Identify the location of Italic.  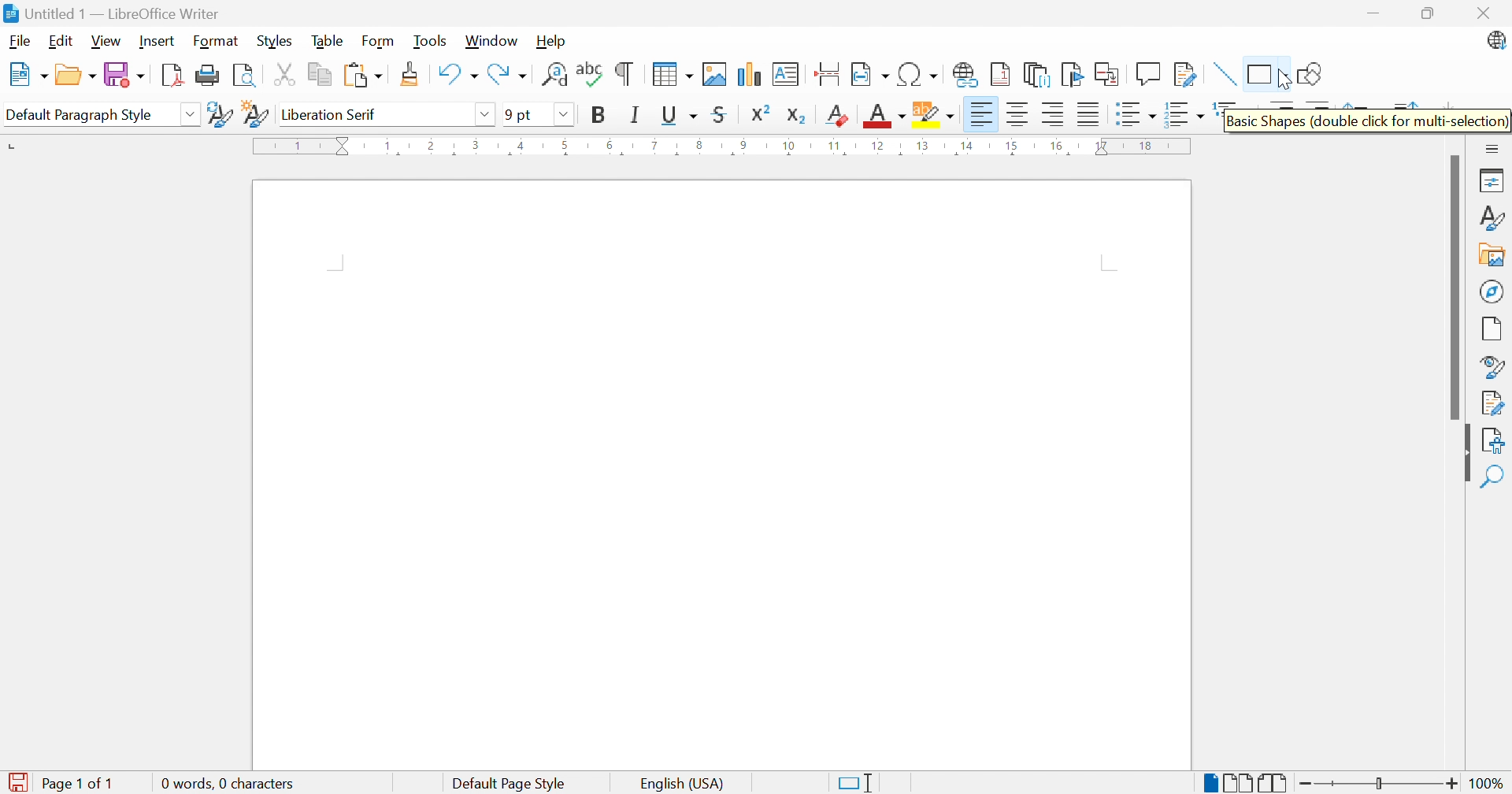
(634, 114).